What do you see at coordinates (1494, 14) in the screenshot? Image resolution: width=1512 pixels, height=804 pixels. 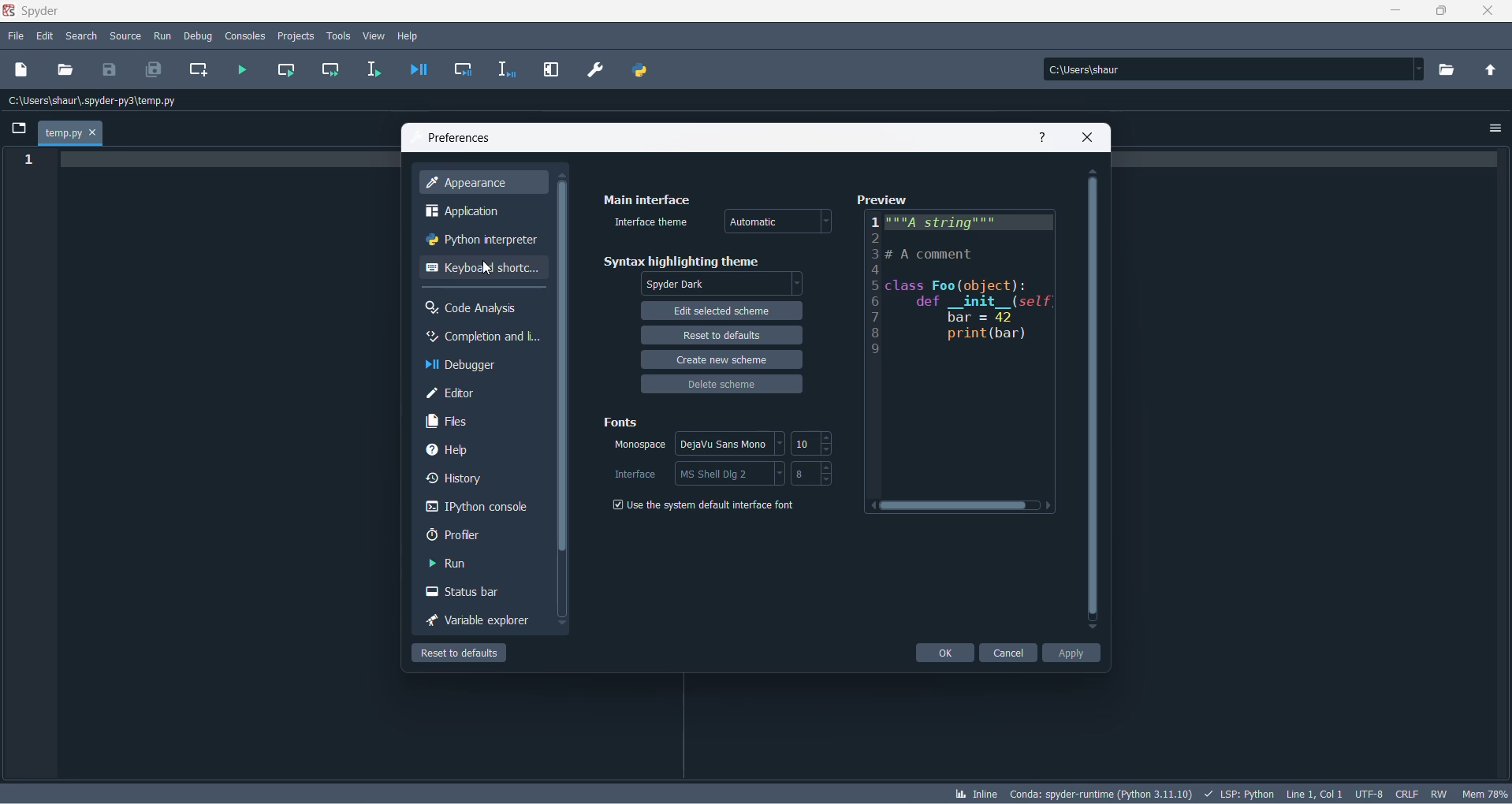 I see `close` at bounding box center [1494, 14].